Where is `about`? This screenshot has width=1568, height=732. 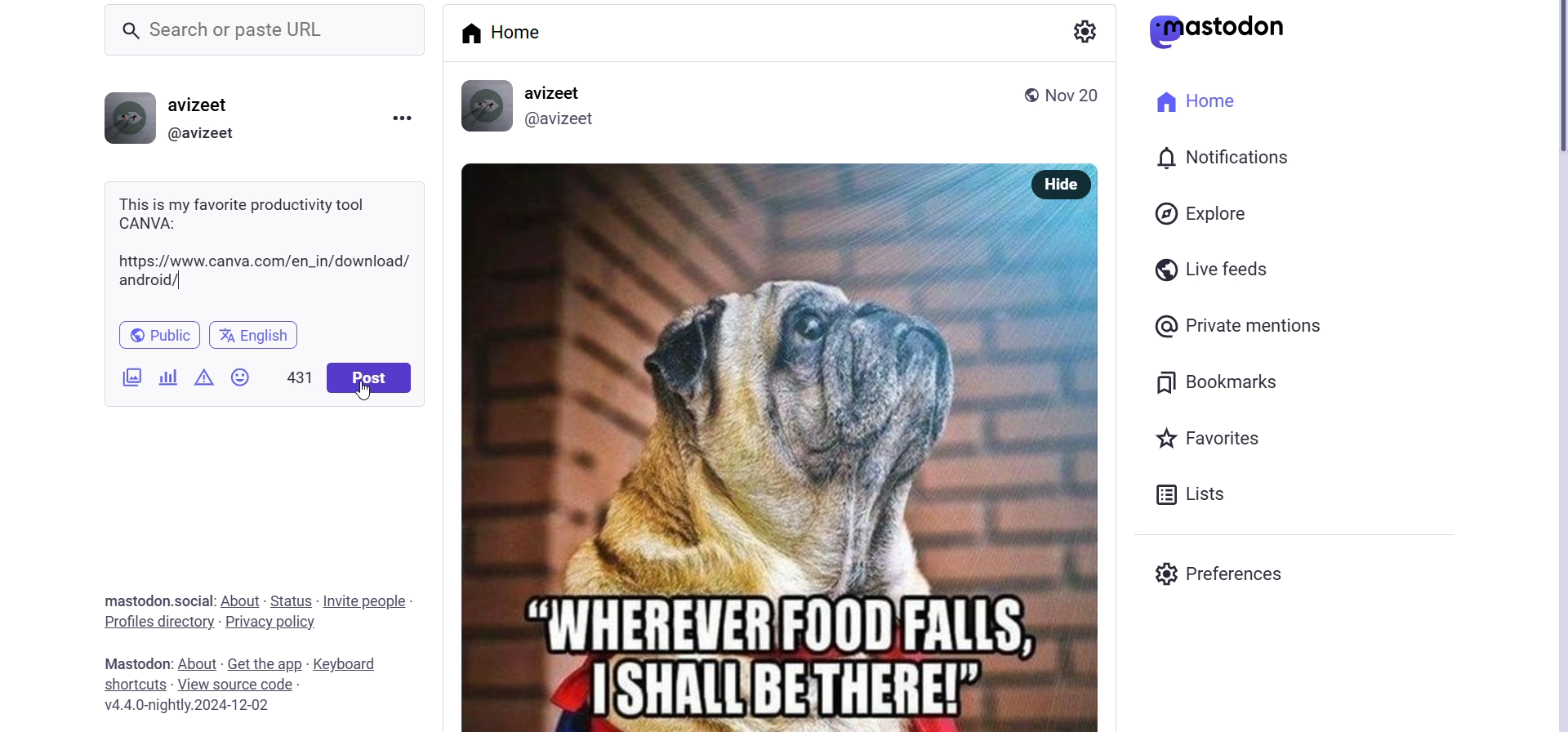
about is located at coordinates (242, 597).